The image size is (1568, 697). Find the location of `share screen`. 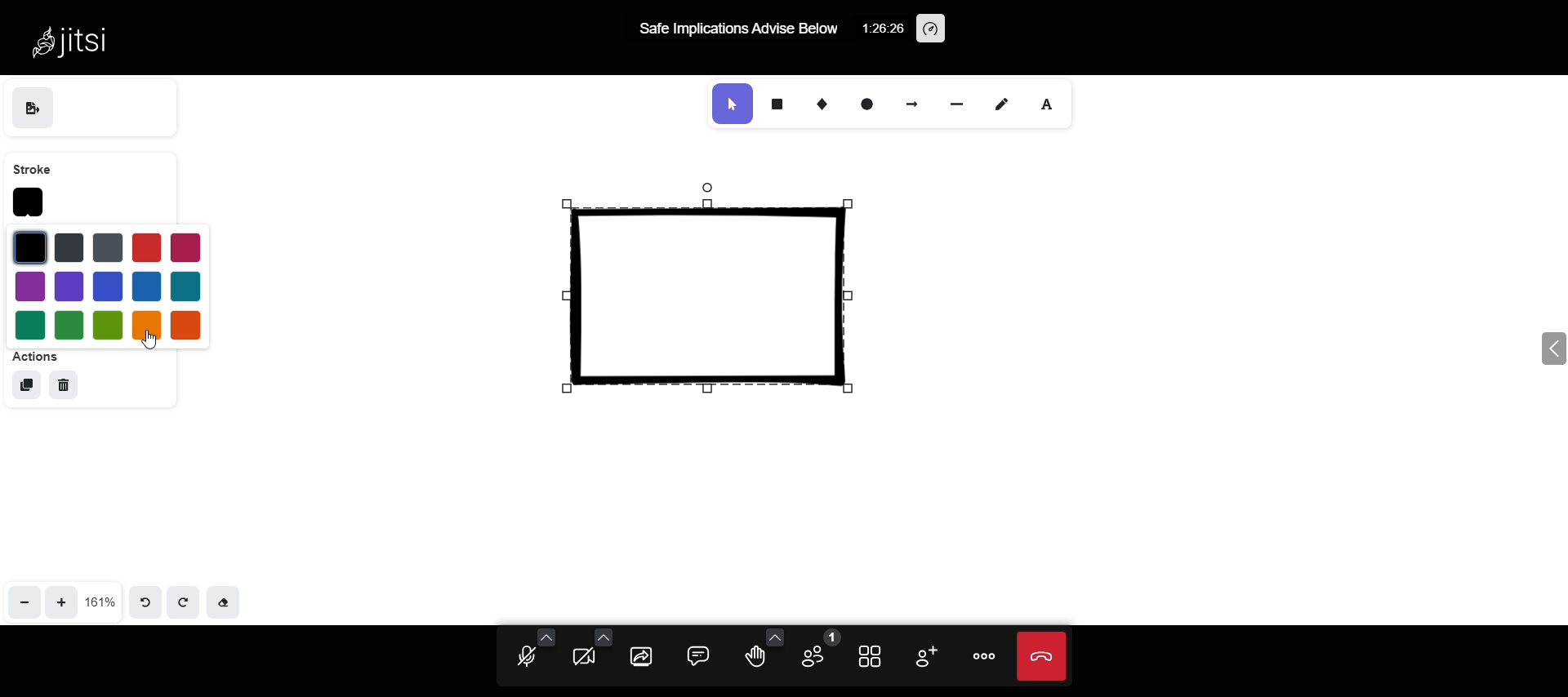

share screen is located at coordinates (637, 657).